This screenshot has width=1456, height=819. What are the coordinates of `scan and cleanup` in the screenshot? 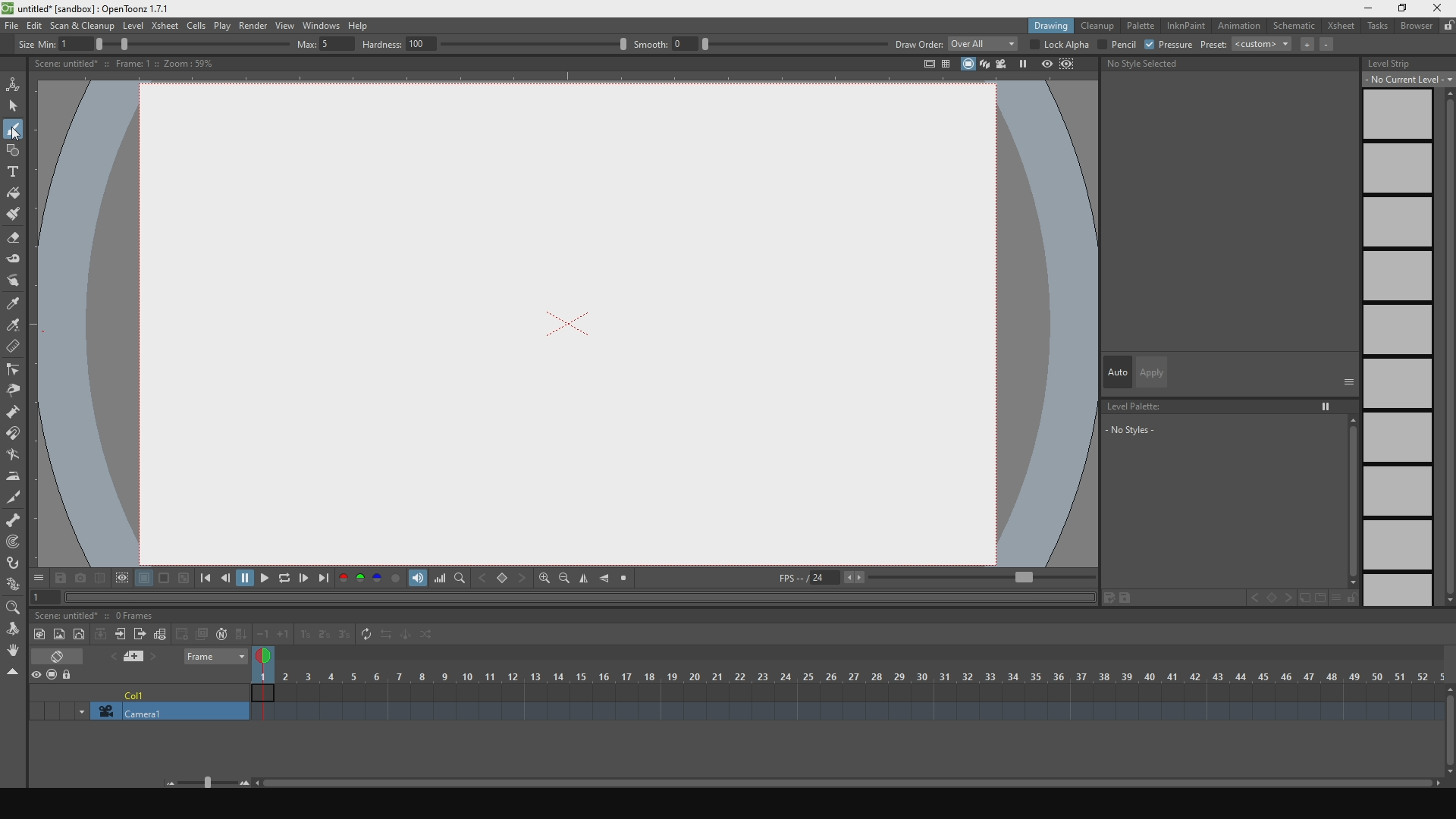 It's located at (83, 24).